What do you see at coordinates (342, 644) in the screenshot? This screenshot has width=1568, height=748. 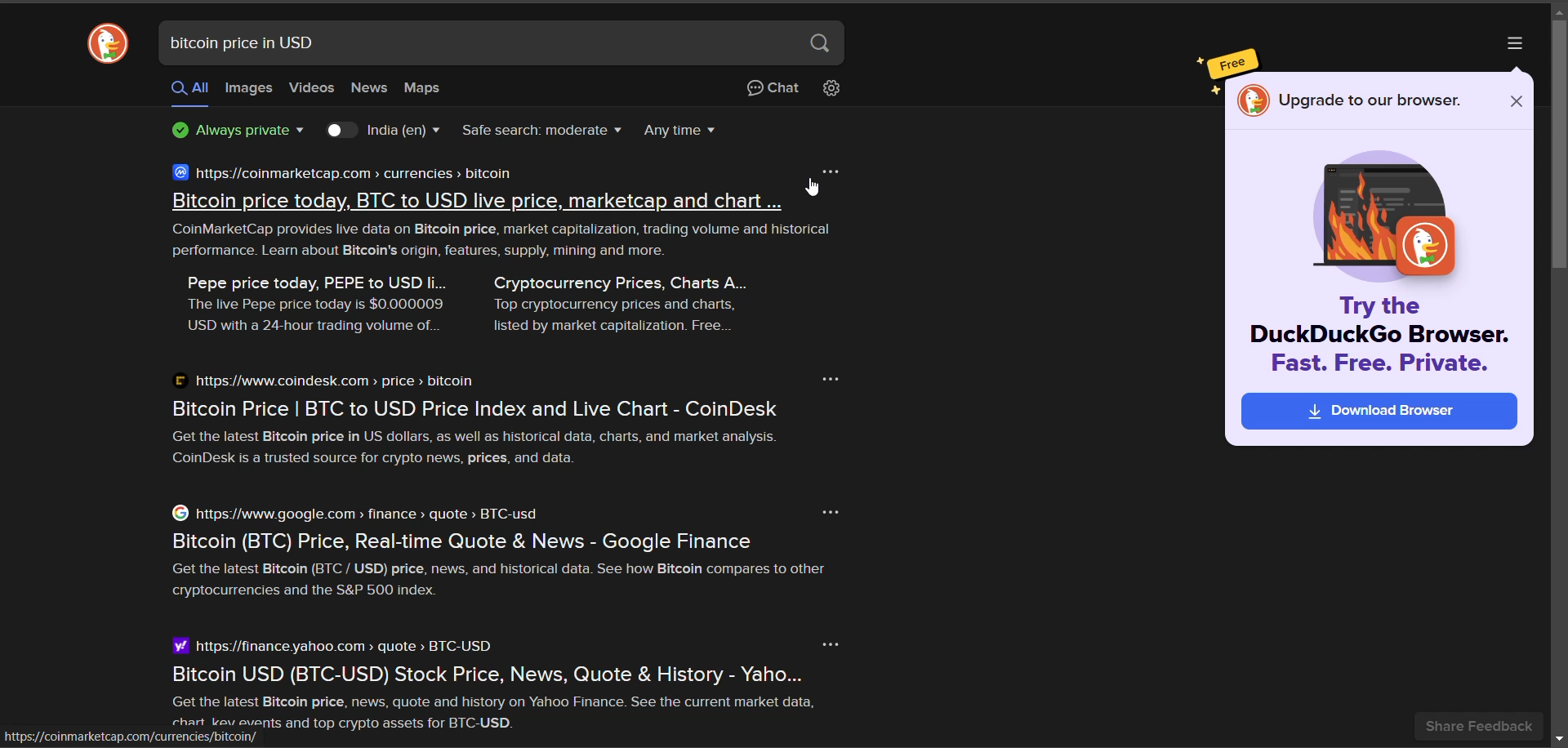 I see `https://finance yahoo.com > quote > BTC-USD` at bounding box center [342, 644].